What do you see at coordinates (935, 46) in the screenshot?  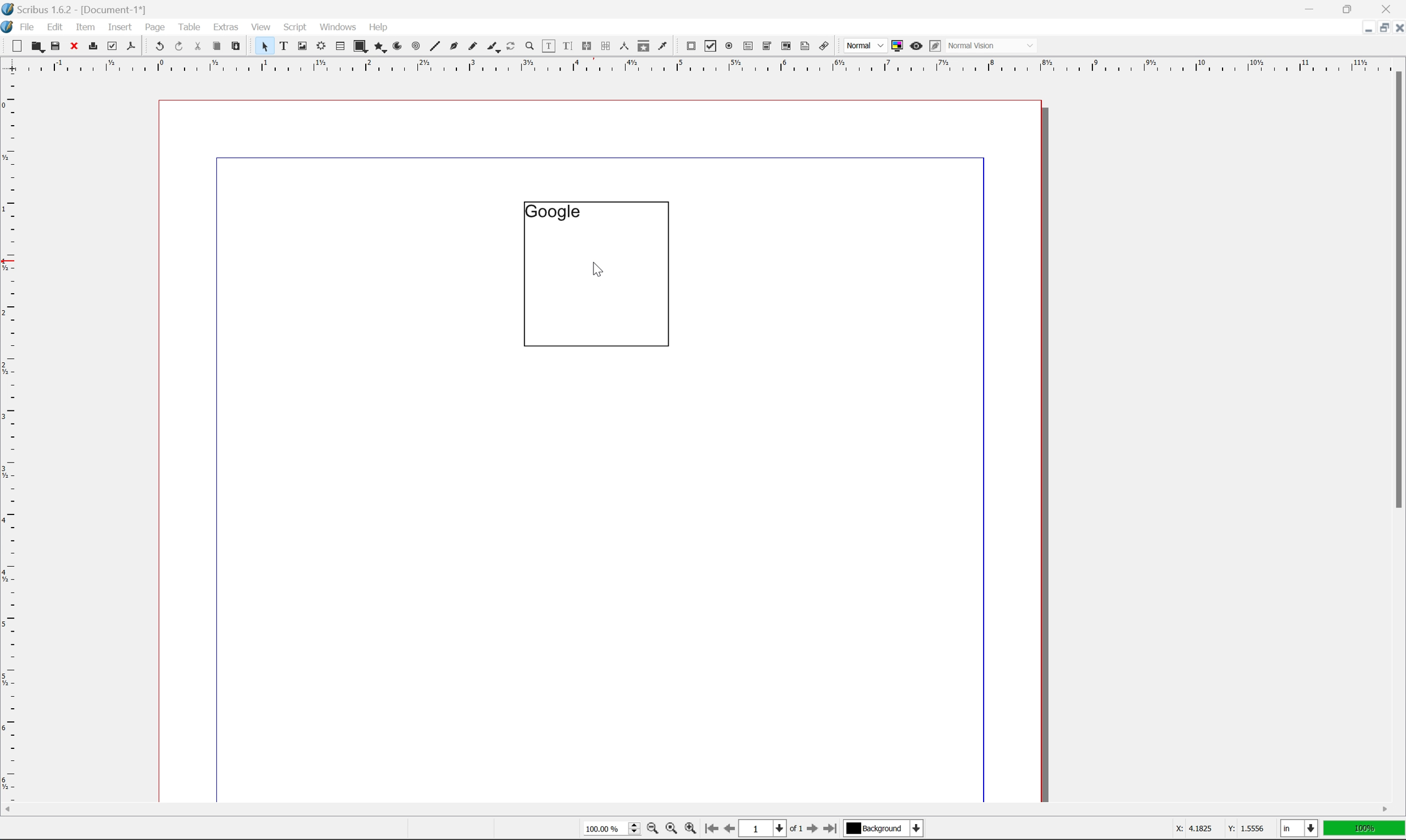 I see `edit in preview mode` at bounding box center [935, 46].